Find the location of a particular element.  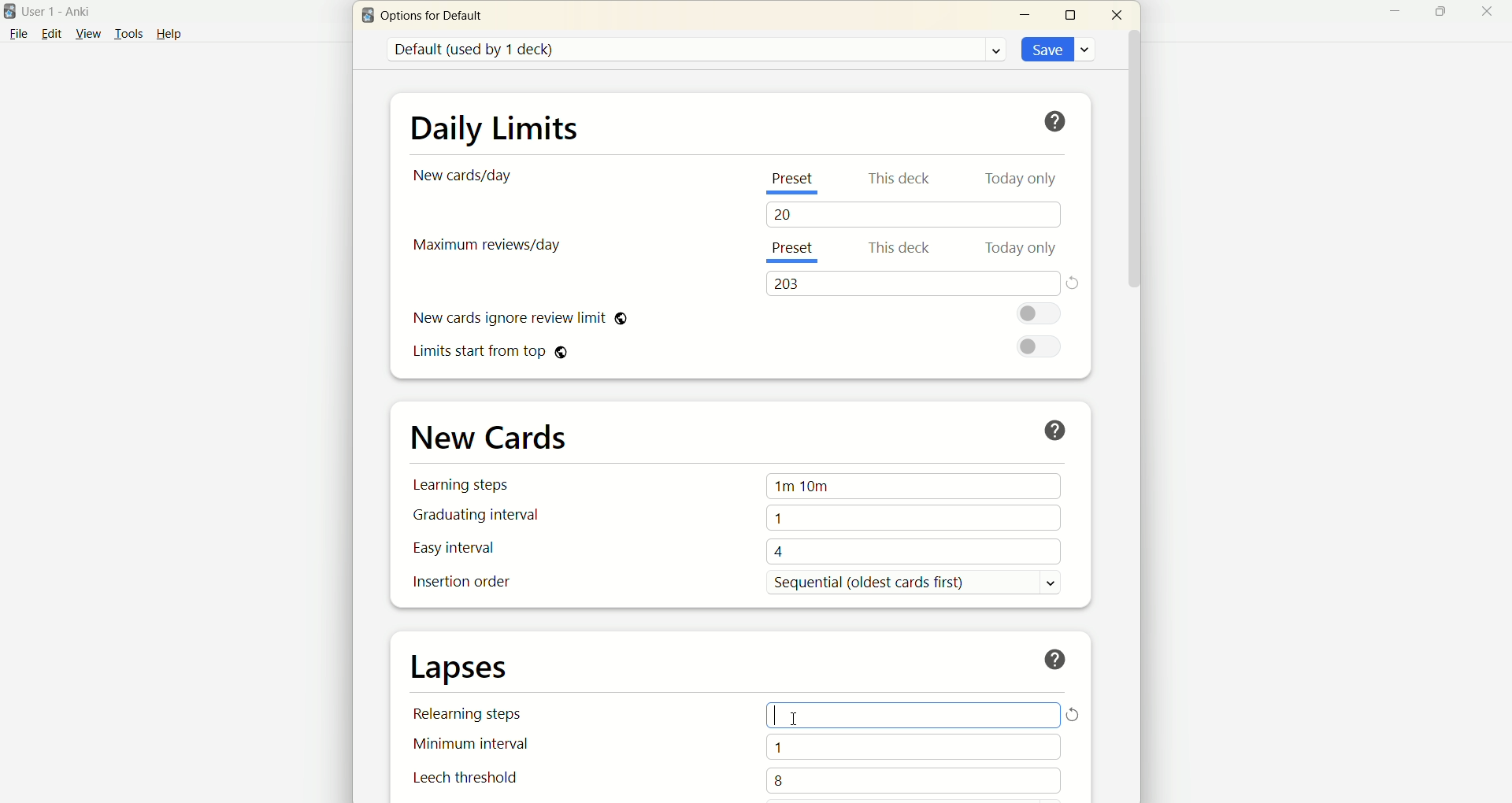

view is located at coordinates (86, 35).